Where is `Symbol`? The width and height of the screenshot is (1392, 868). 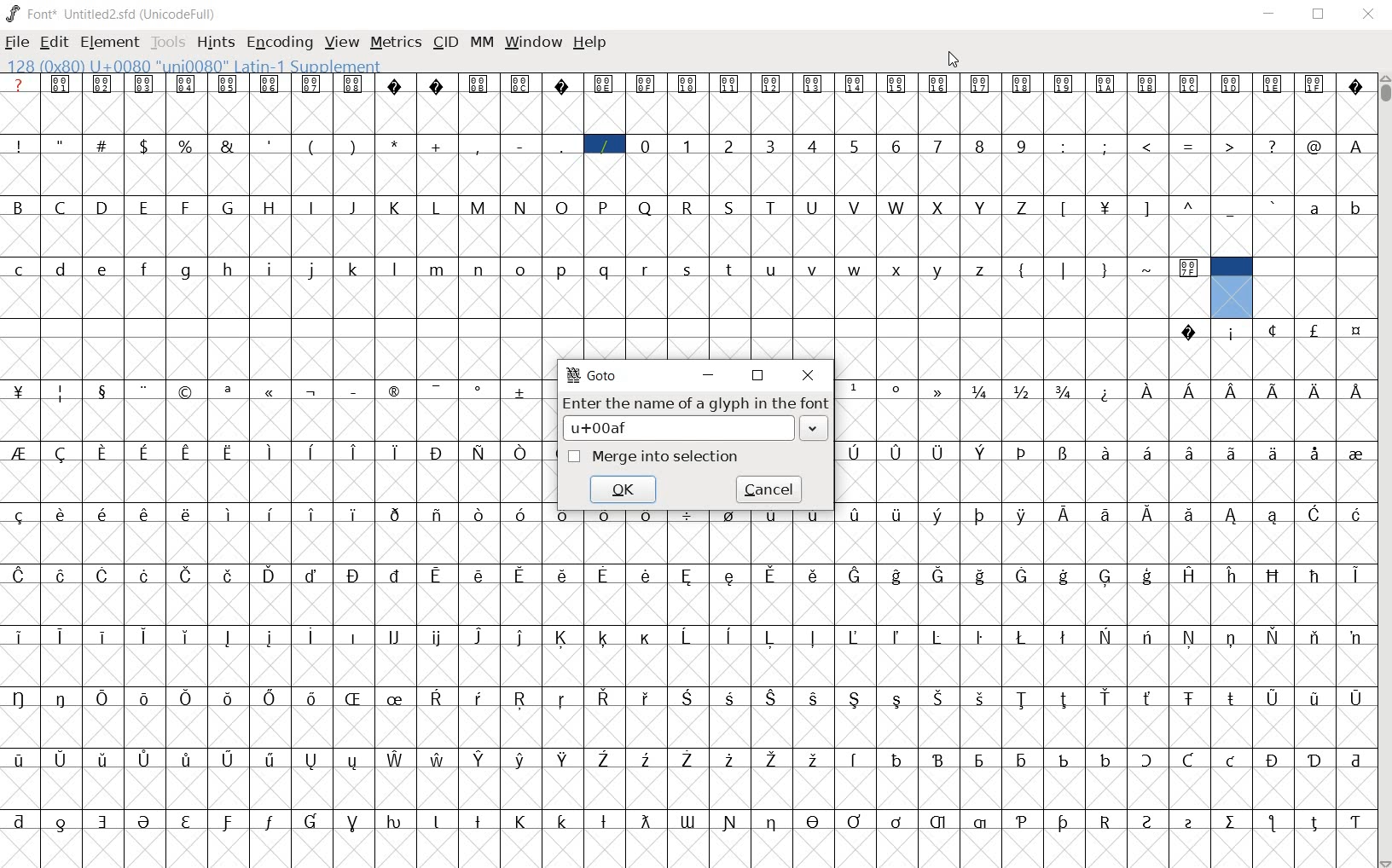 Symbol is located at coordinates (1064, 575).